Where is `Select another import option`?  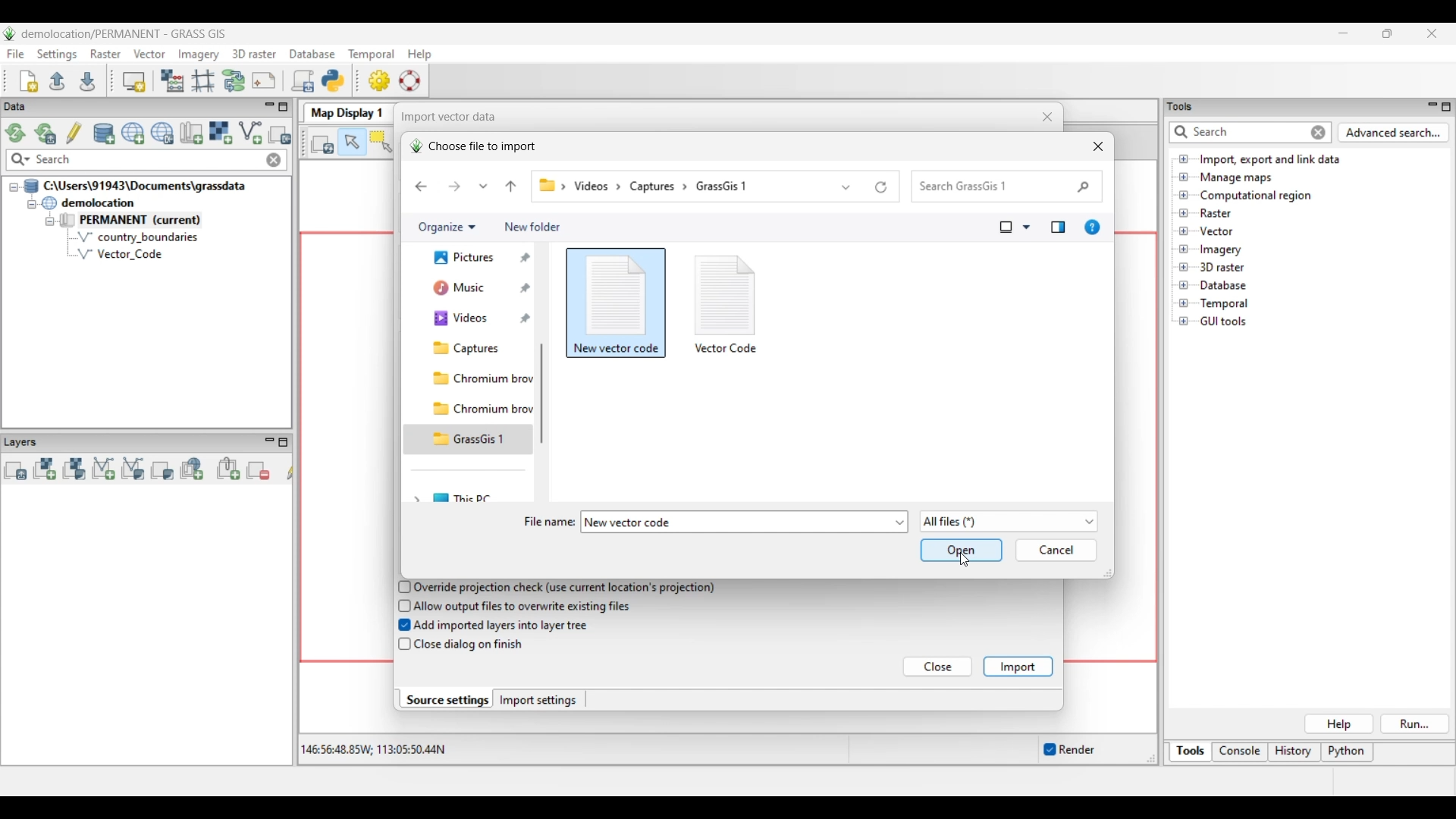
Select another import option is located at coordinates (279, 134).